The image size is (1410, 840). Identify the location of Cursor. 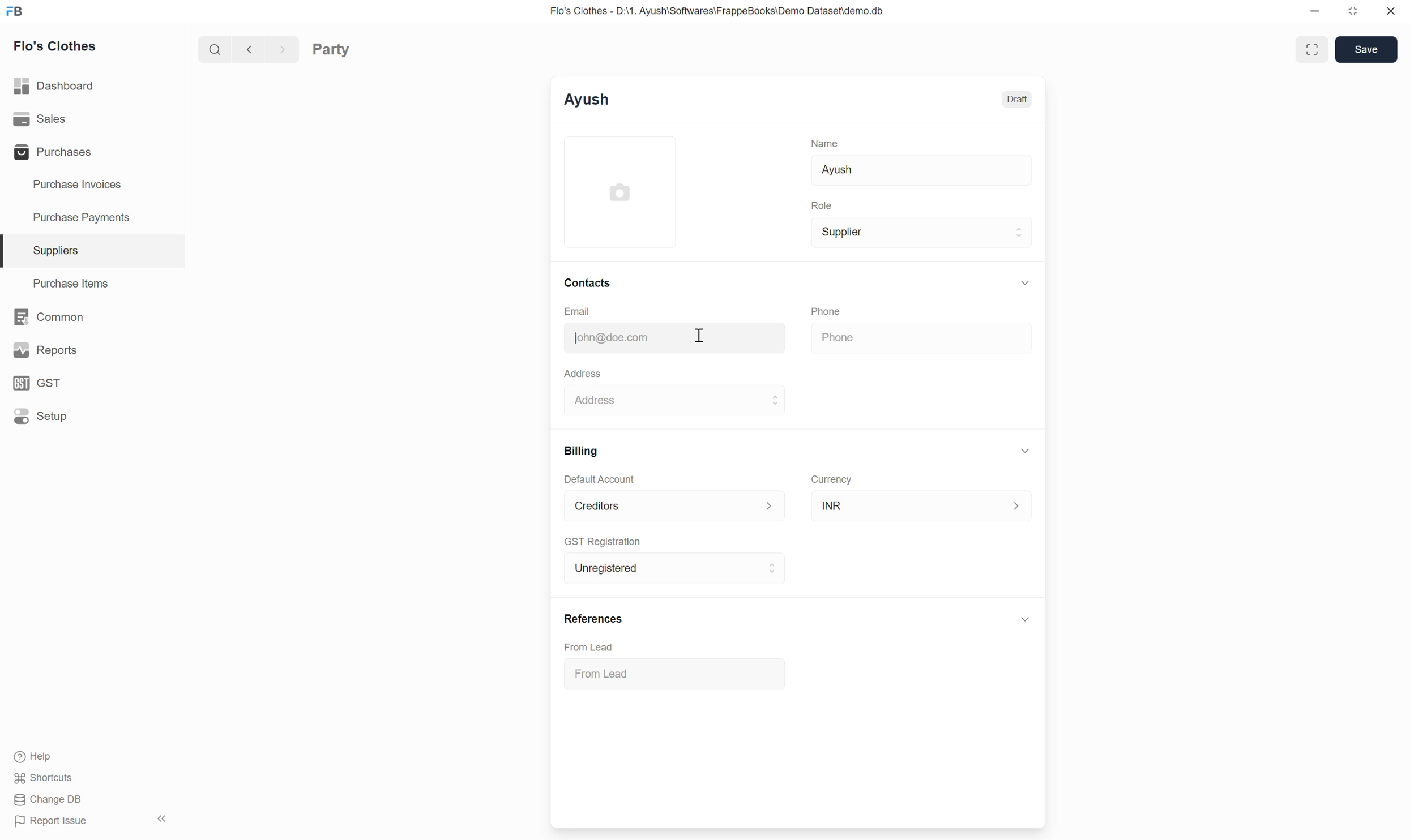
(699, 336).